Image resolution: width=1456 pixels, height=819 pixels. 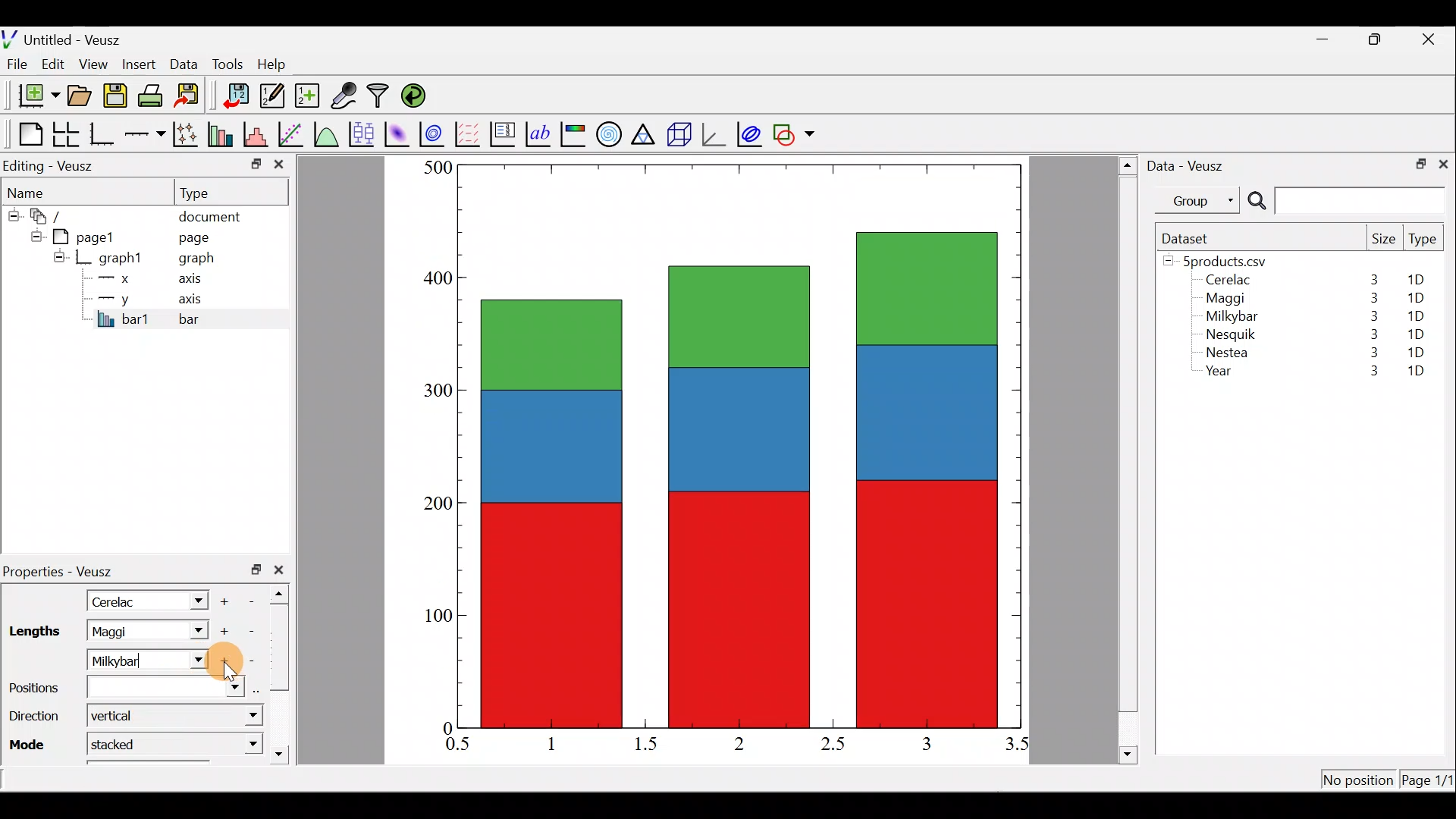 I want to click on Edit, so click(x=53, y=63).